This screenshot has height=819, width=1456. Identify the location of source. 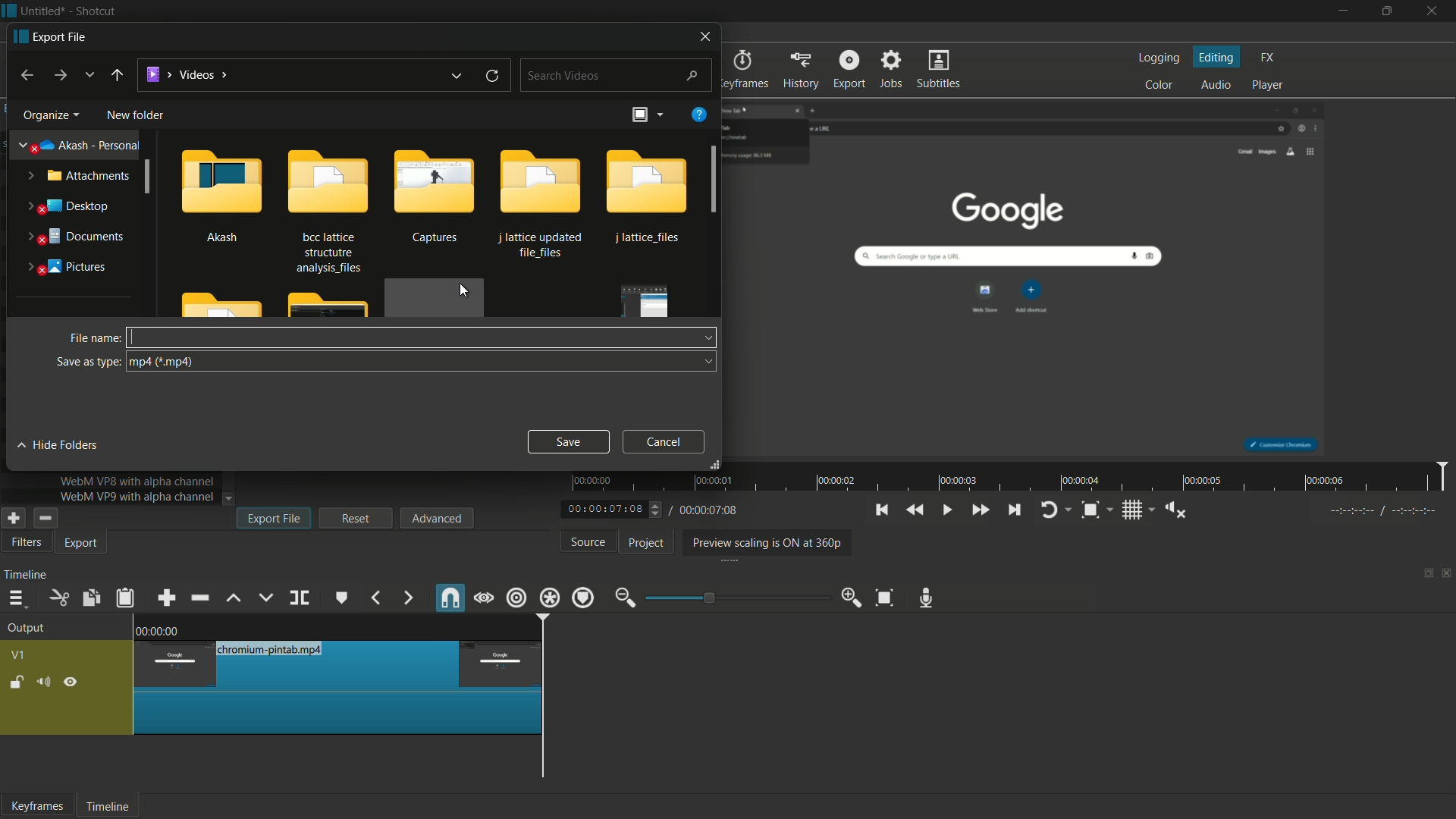
(589, 541).